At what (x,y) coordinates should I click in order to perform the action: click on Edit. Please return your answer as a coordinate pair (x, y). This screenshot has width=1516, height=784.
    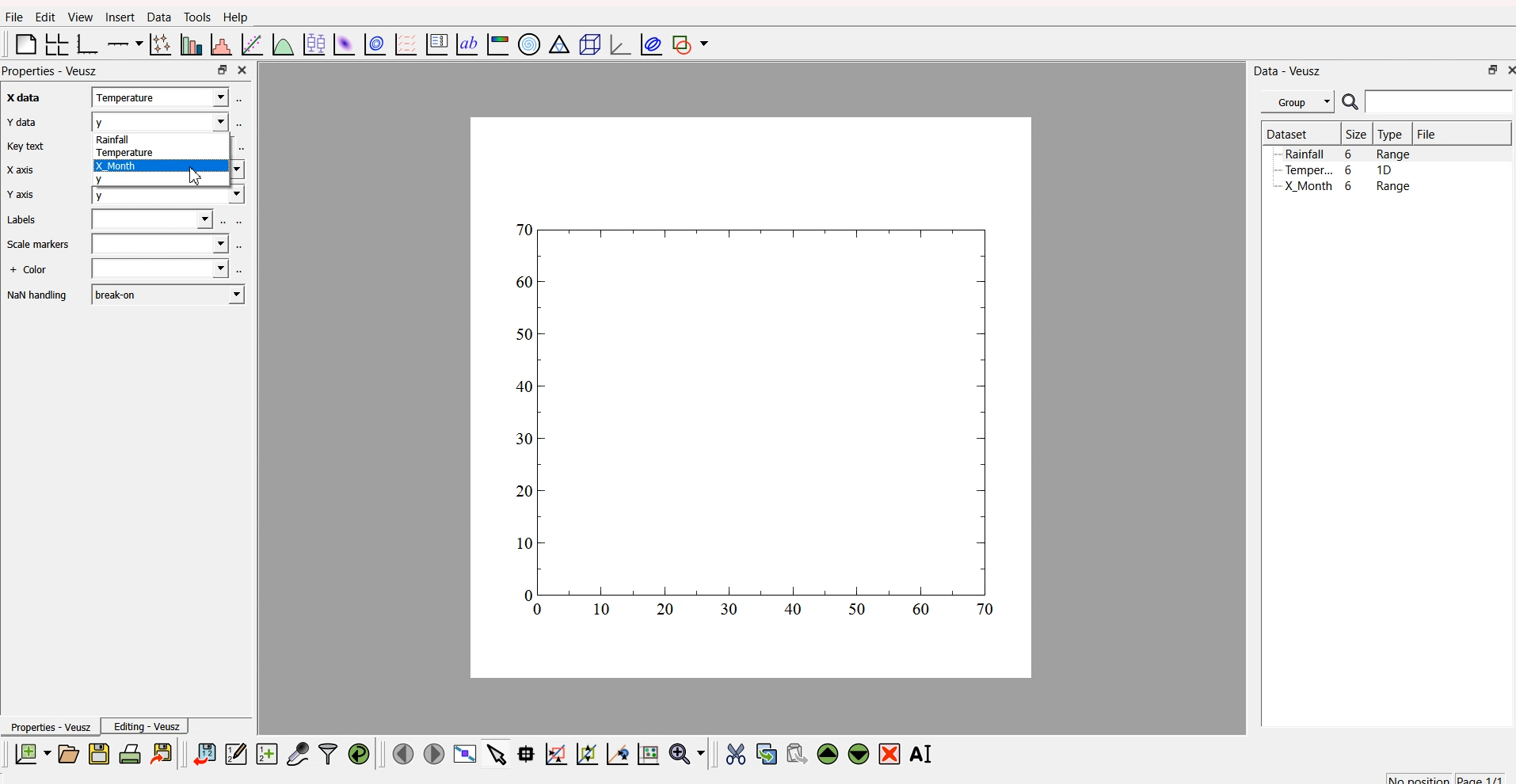
    Looking at the image, I should click on (43, 17).